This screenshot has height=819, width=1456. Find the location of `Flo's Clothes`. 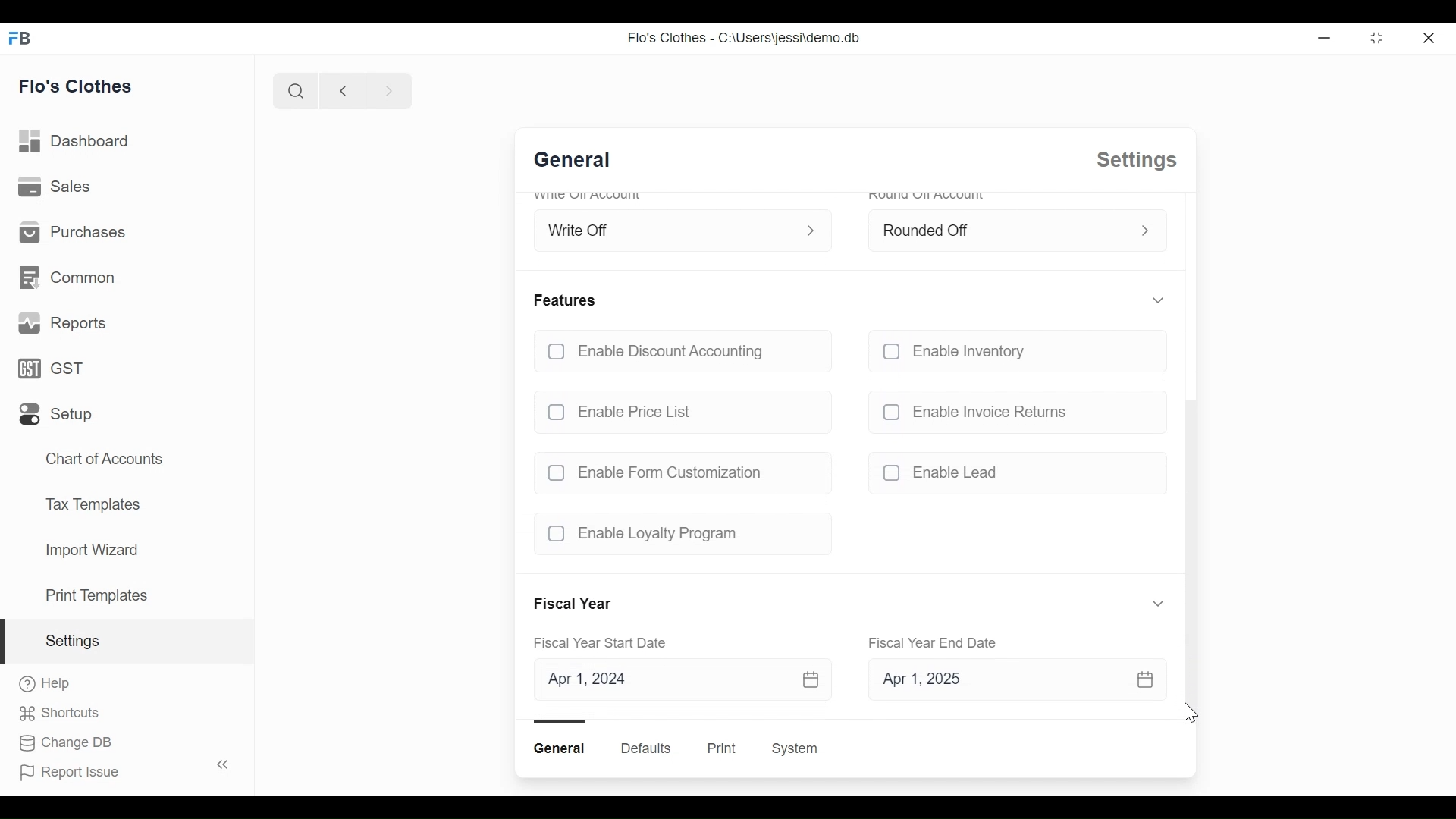

Flo's Clothes is located at coordinates (76, 84).